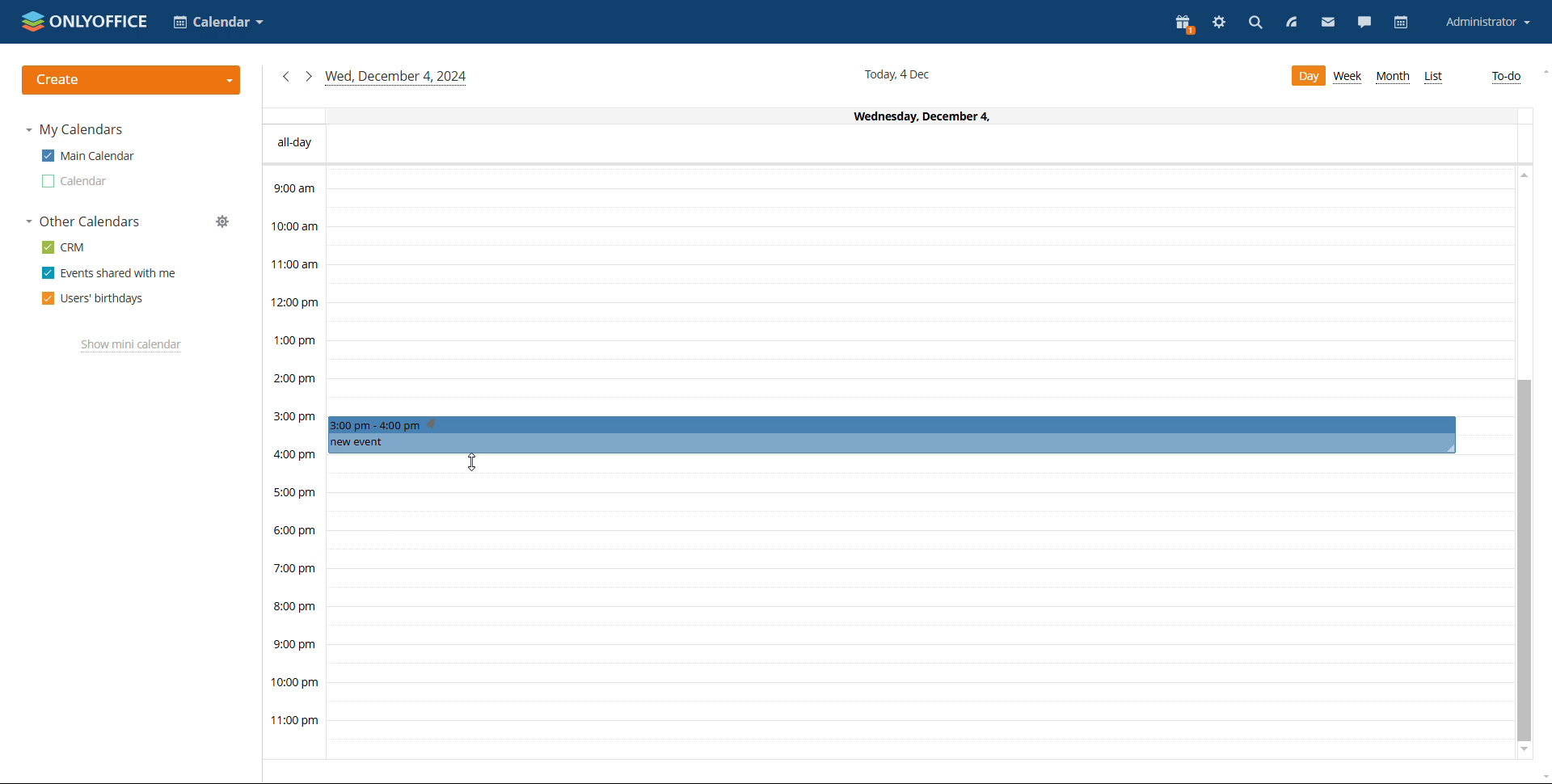  What do you see at coordinates (919, 313) in the screenshot?
I see `30 min time span` at bounding box center [919, 313].